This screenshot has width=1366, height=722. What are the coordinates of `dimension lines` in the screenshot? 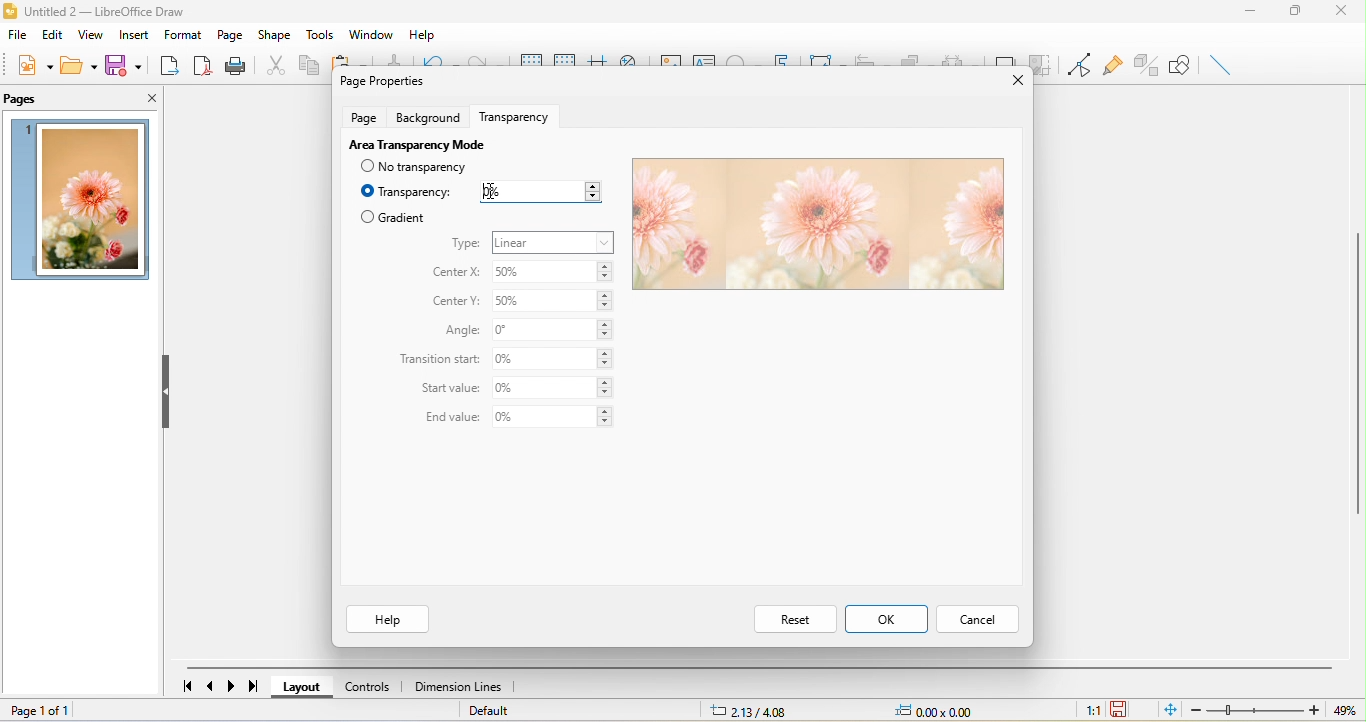 It's located at (463, 687).